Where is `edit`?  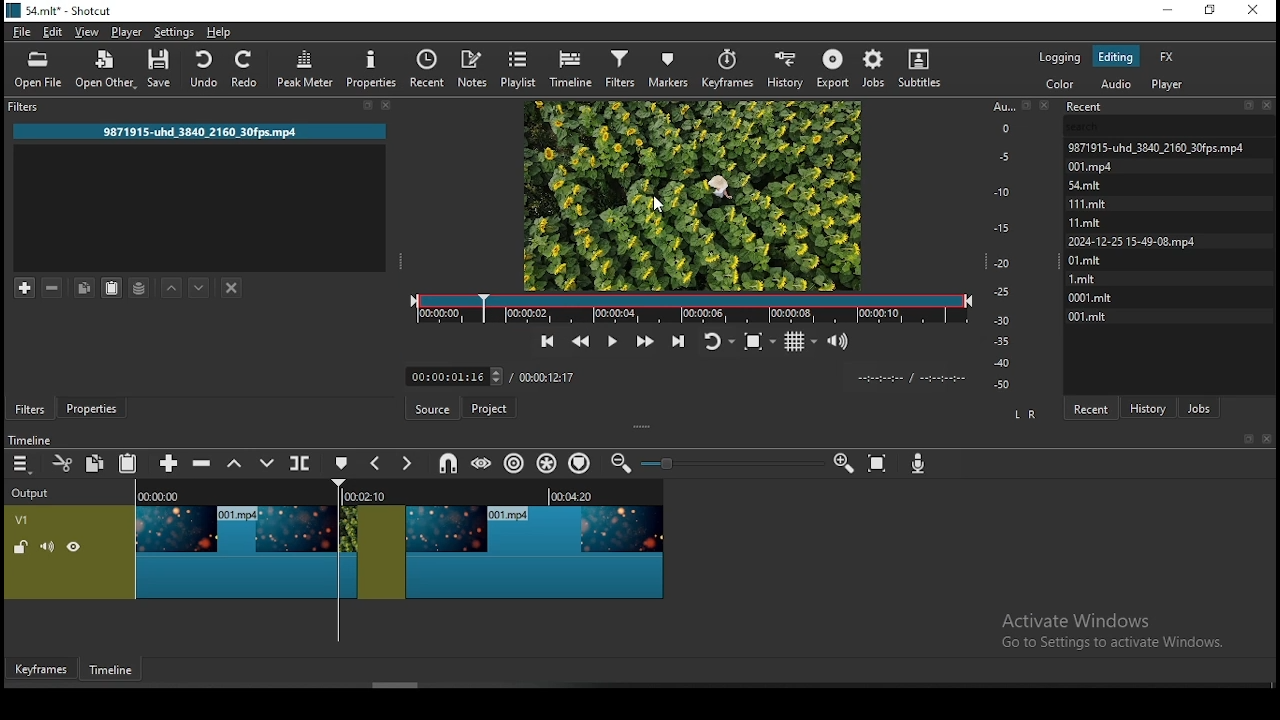 edit is located at coordinates (51, 31).